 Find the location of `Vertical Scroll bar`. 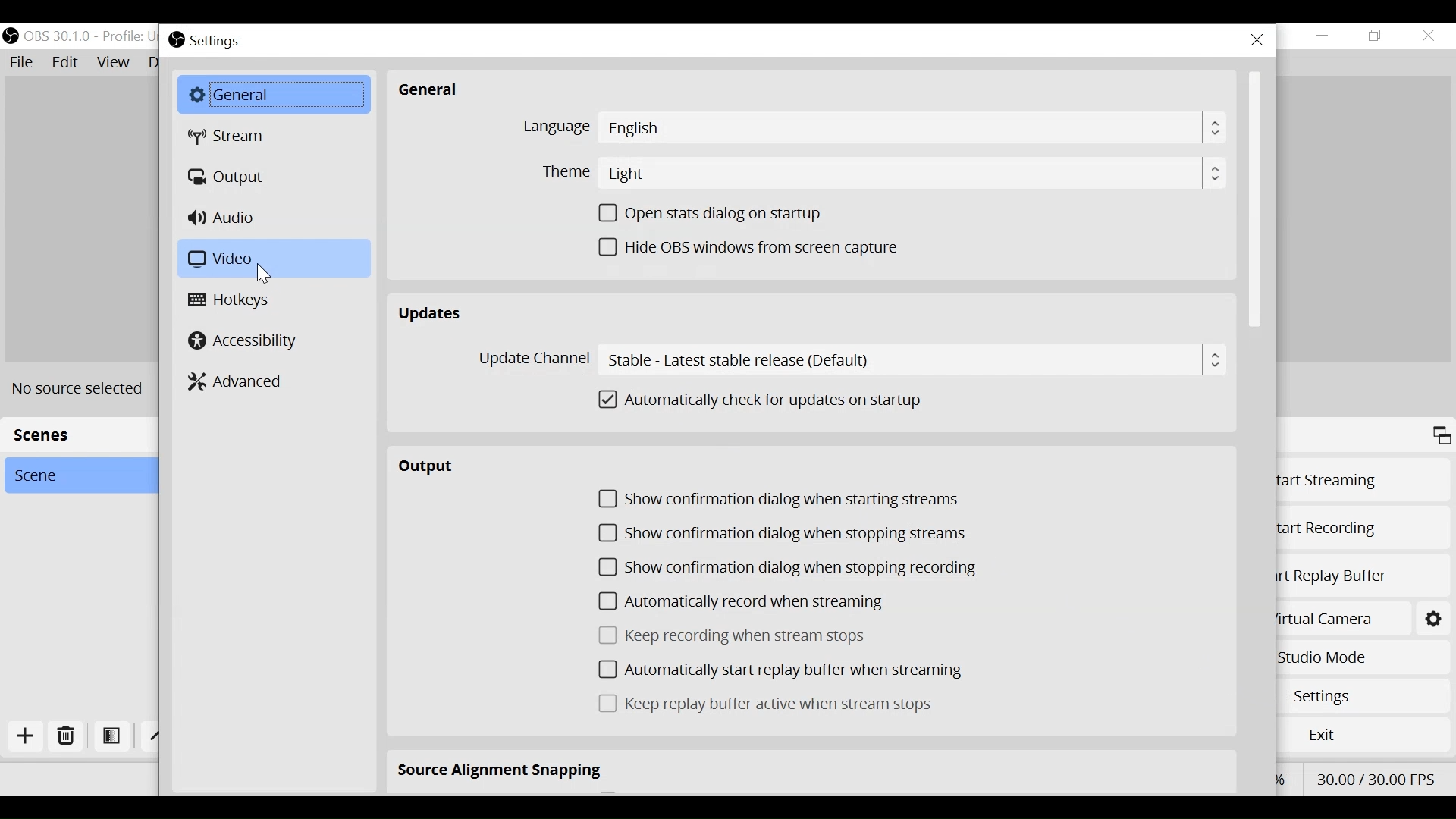

Vertical Scroll bar is located at coordinates (1254, 199).